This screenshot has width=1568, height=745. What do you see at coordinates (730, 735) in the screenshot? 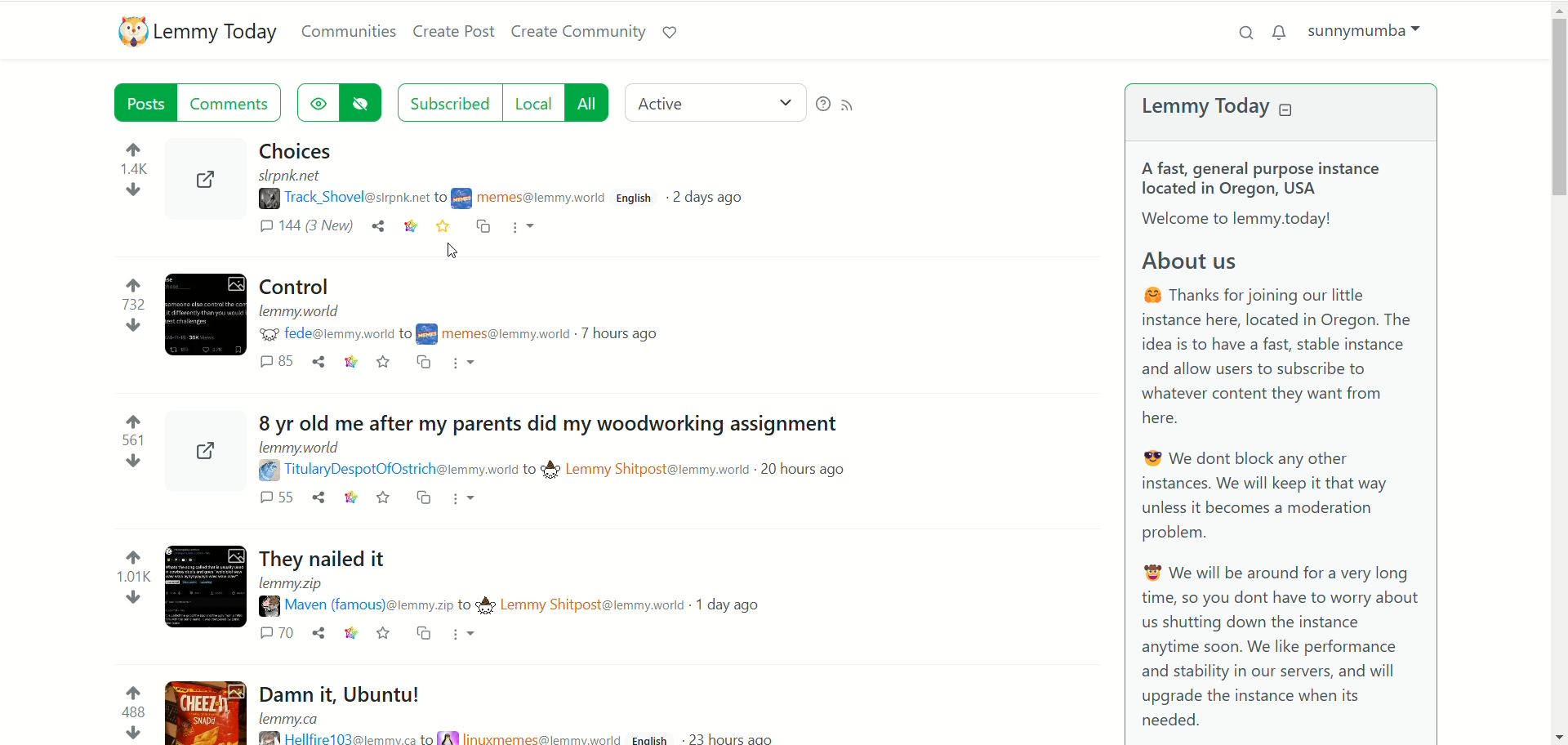
I see `23 hours ago` at bounding box center [730, 735].